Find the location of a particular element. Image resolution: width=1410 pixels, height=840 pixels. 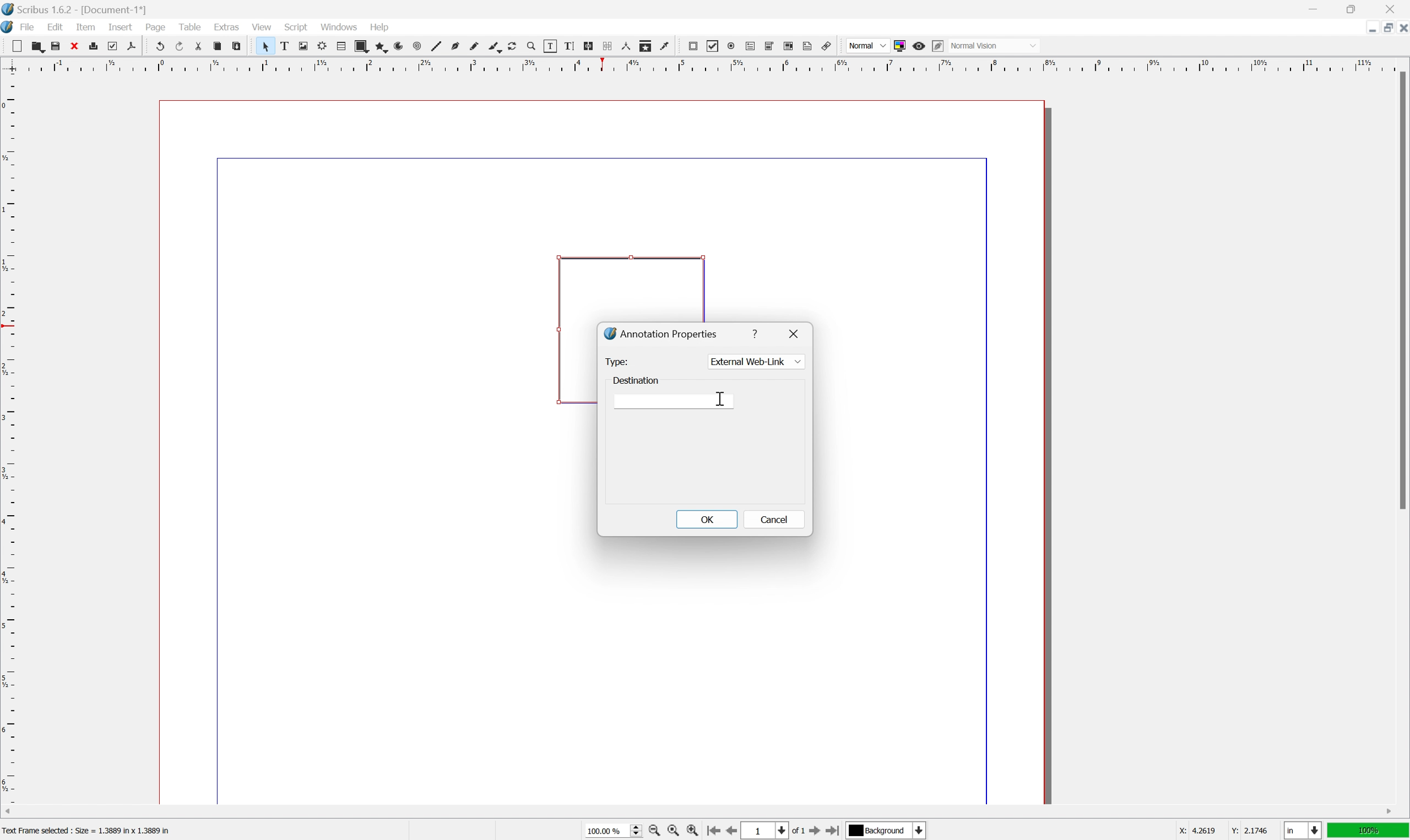

preflight verifier is located at coordinates (113, 46).